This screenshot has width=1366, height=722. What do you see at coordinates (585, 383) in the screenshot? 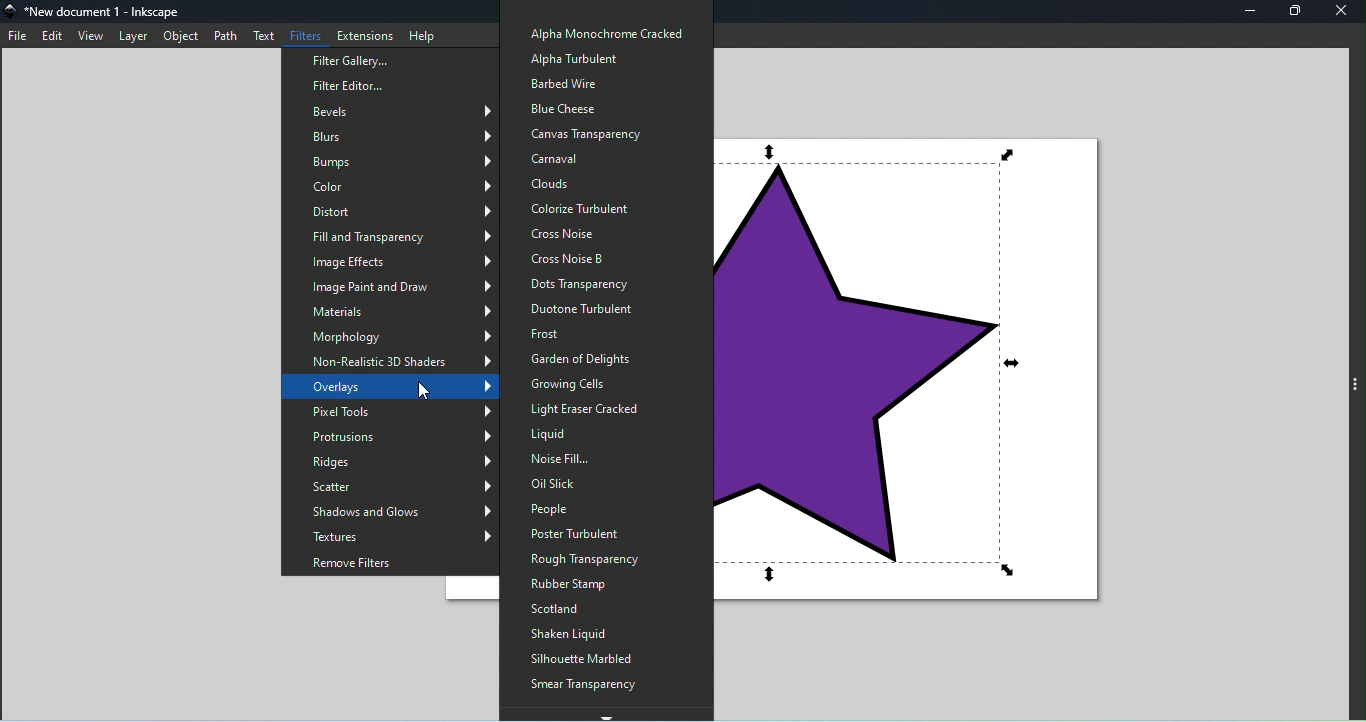
I see `Growing cells` at bounding box center [585, 383].